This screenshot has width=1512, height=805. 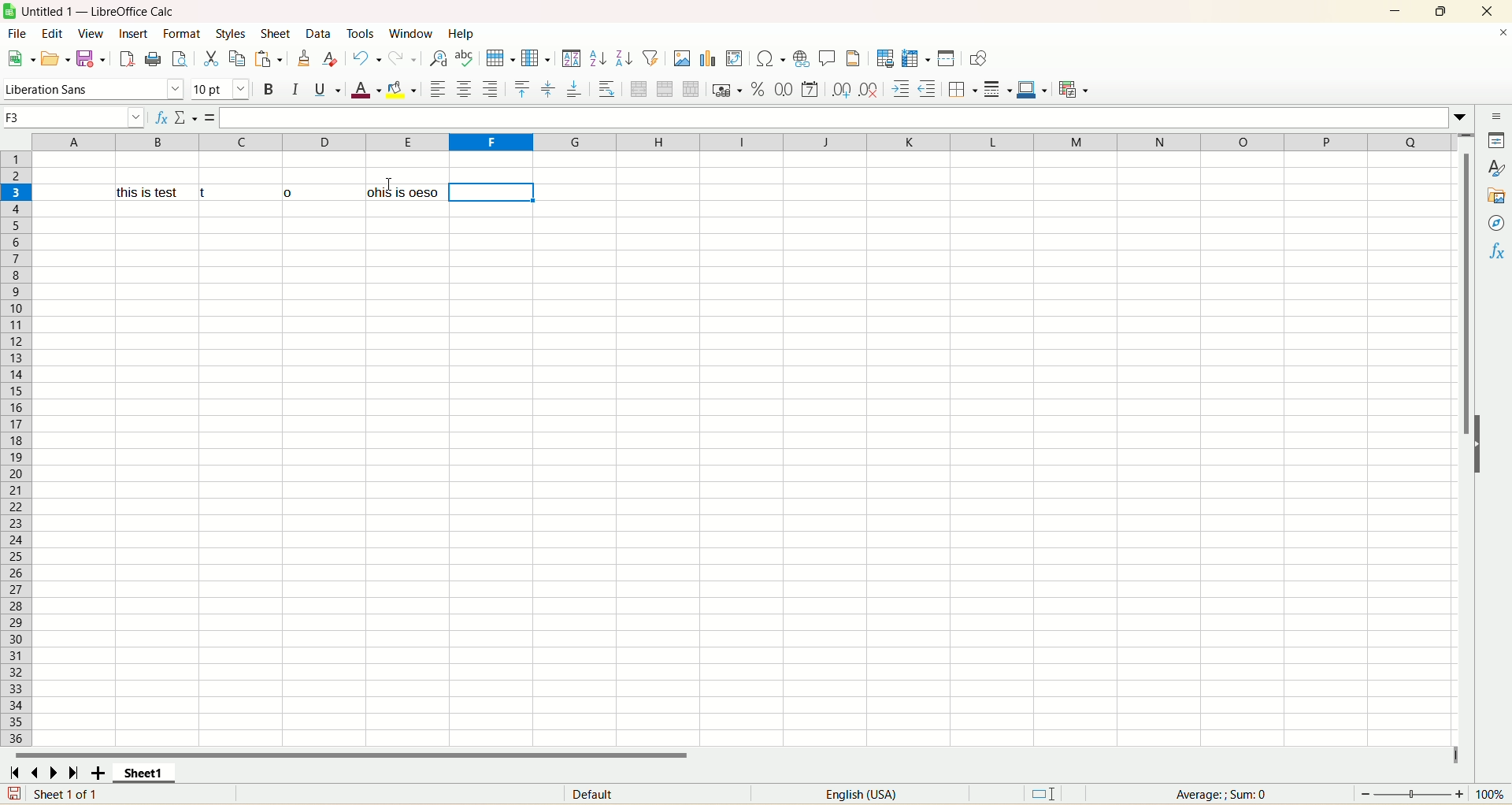 I want to click on style, so click(x=1492, y=169).